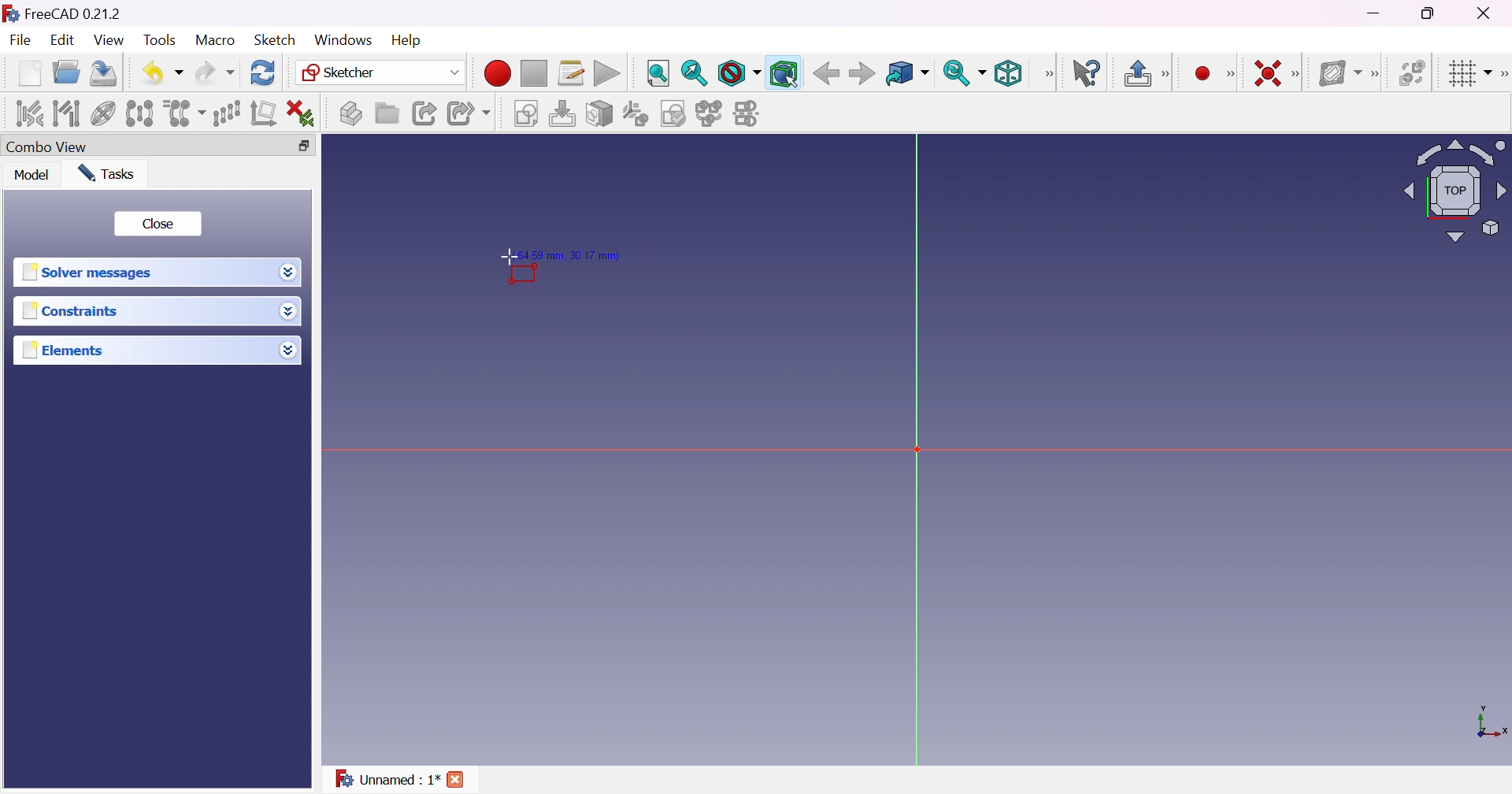  What do you see at coordinates (63, 351) in the screenshot?
I see `Elements` at bounding box center [63, 351].